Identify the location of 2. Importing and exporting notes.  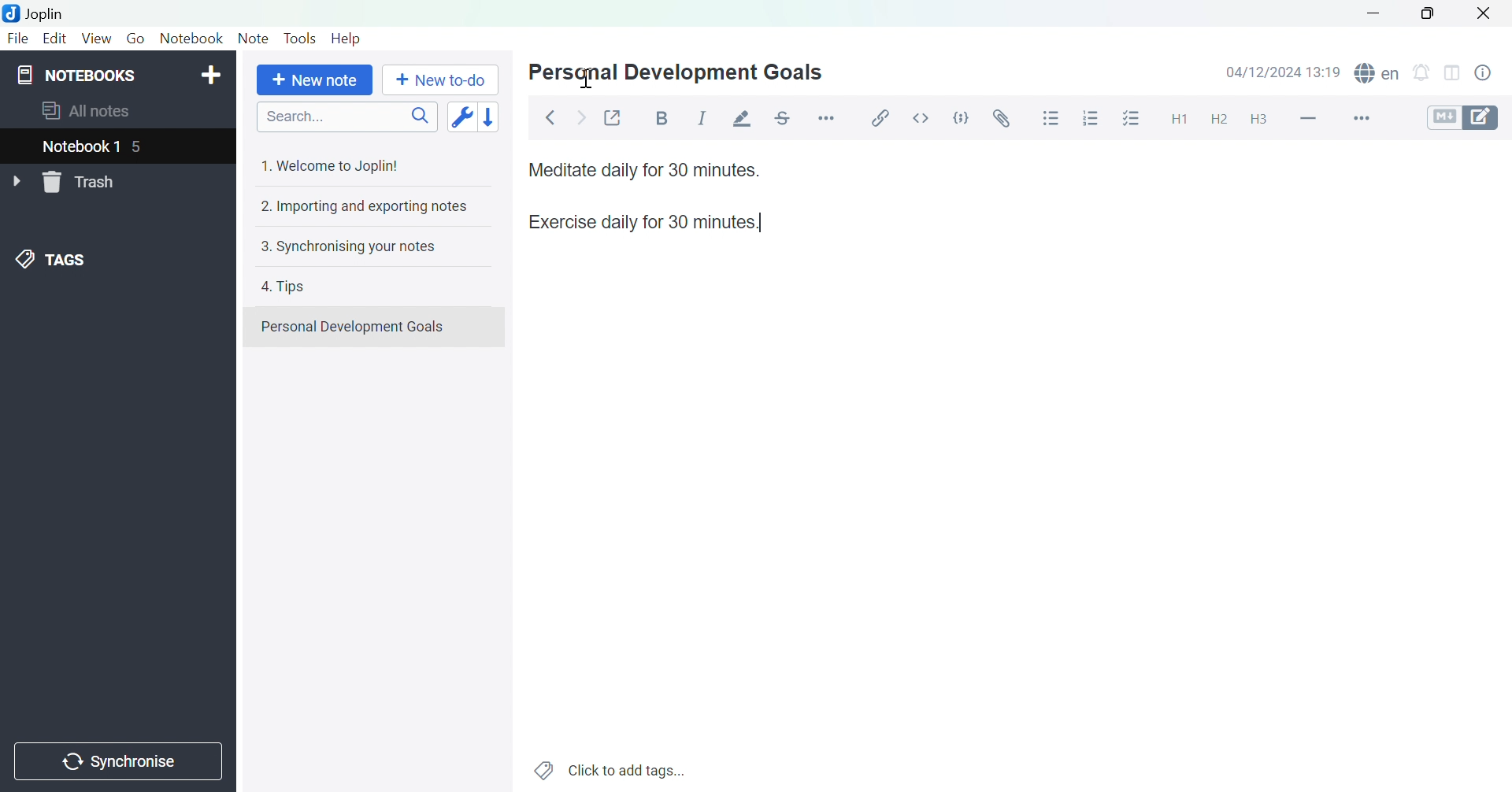
(362, 207).